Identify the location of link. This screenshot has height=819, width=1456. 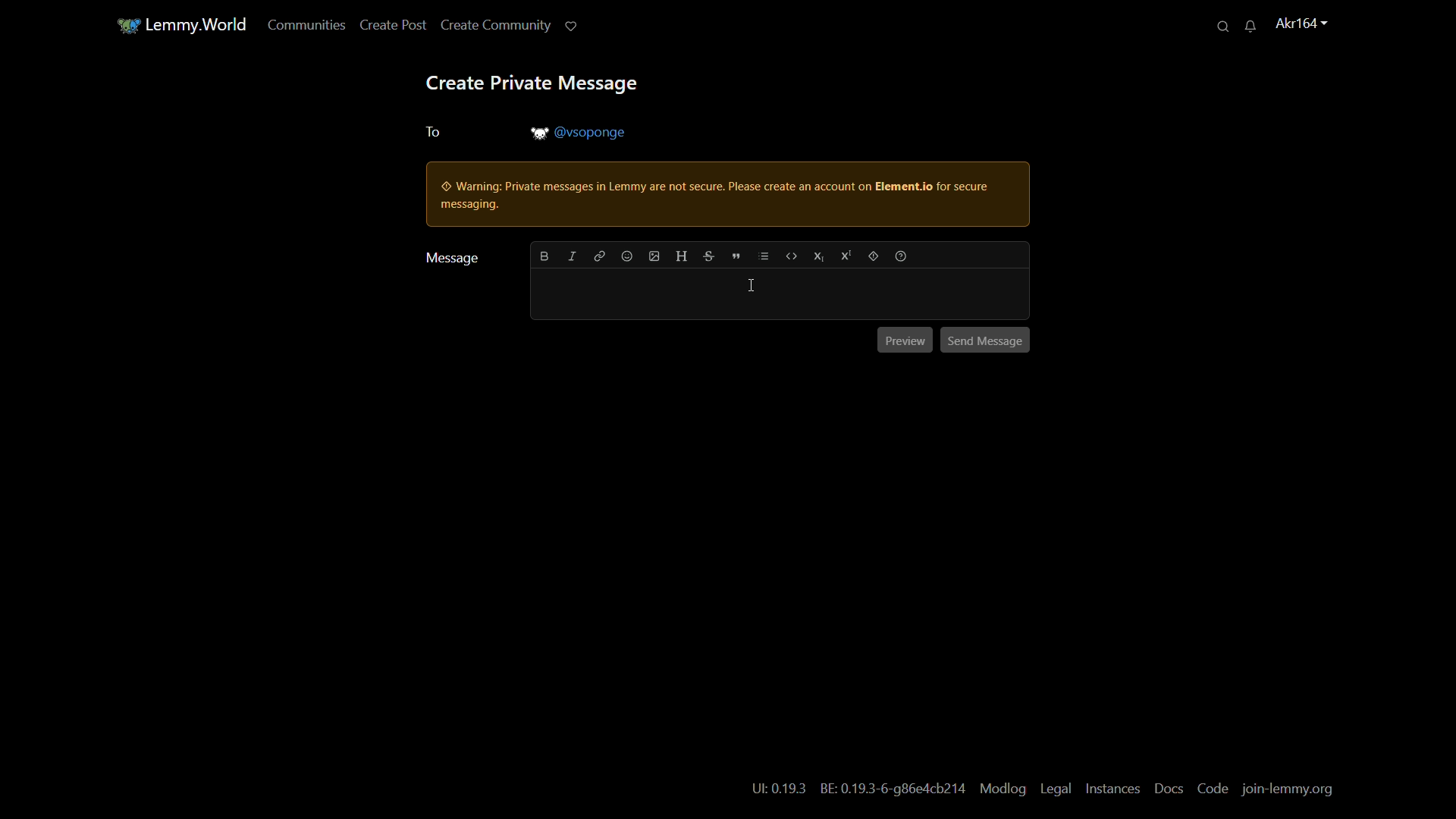
(600, 257).